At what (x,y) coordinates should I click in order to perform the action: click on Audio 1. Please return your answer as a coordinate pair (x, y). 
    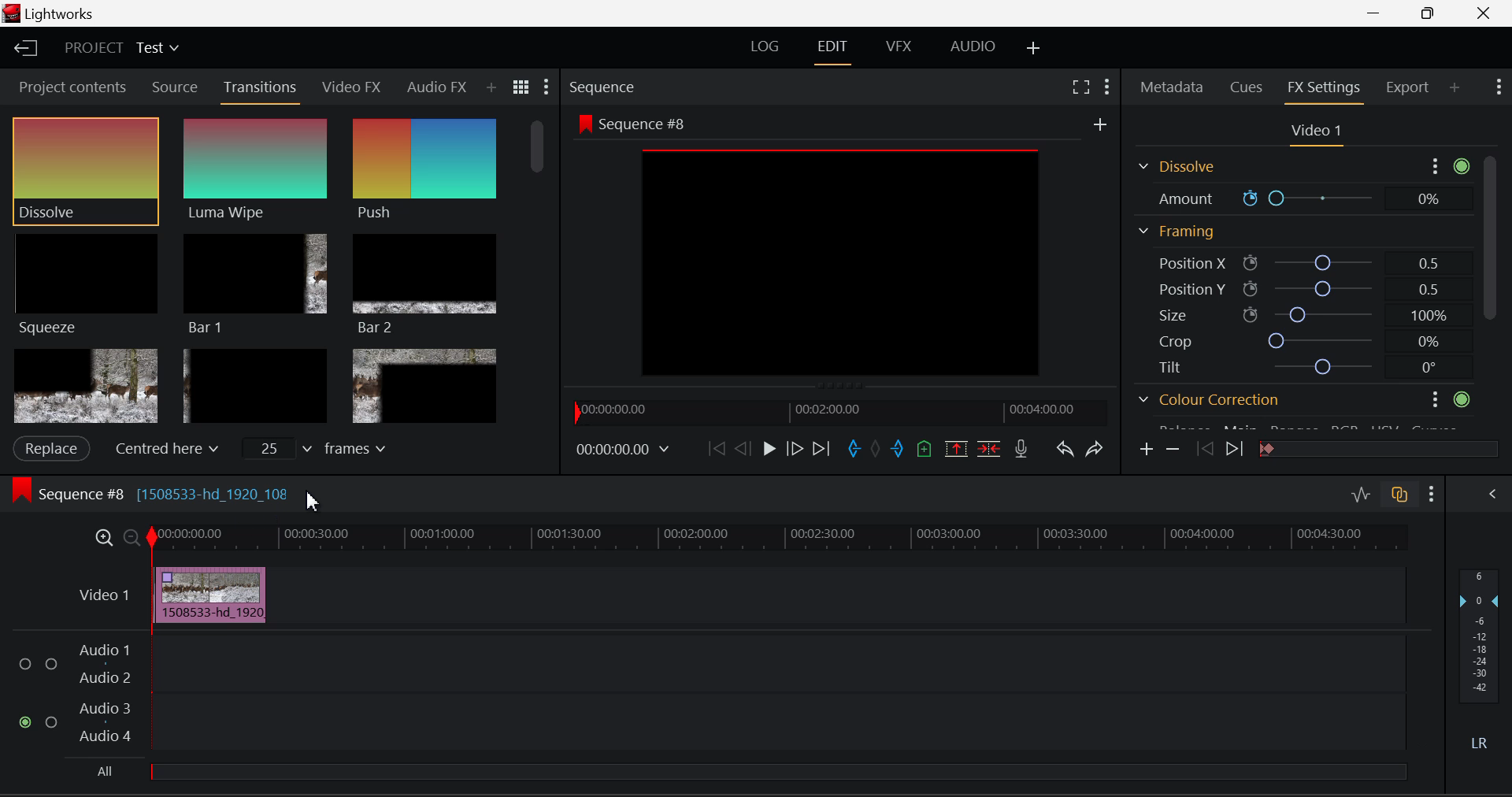
    Looking at the image, I should click on (104, 651).